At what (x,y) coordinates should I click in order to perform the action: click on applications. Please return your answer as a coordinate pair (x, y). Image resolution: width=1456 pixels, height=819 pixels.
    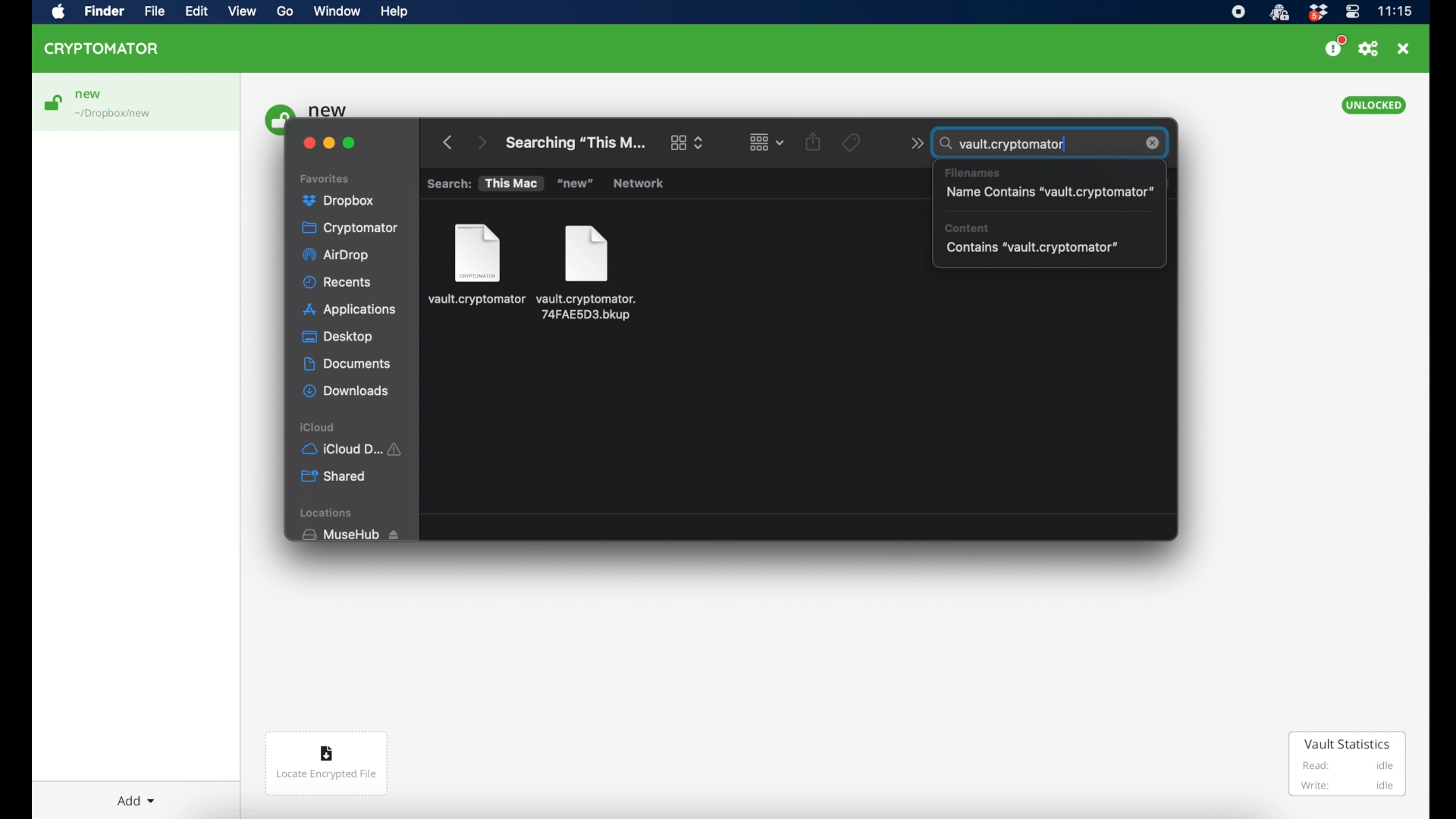
    Looking at the image, I should click on (352, 310).